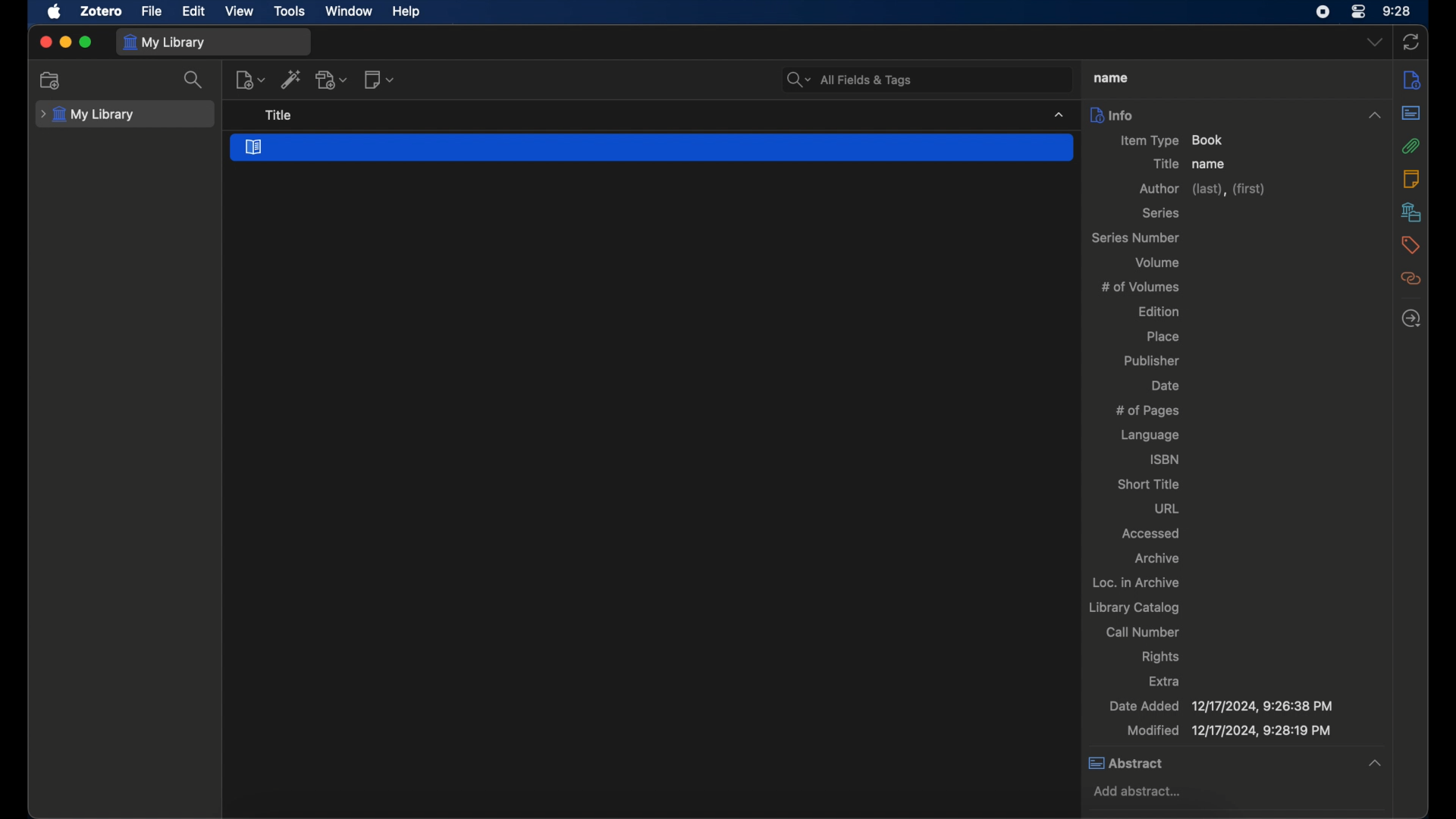  I want to click on time, so click(1397, 11).